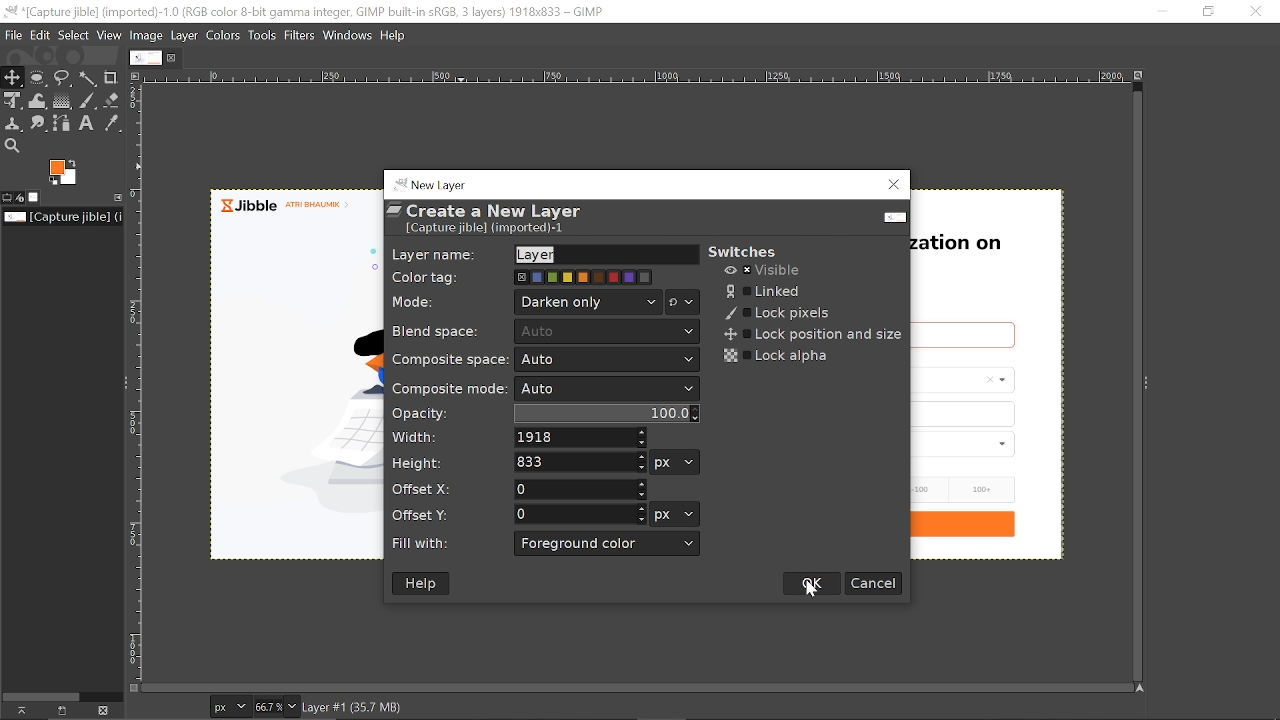 The image size is (1280, 720). I want to click on width, so click(429, 440).